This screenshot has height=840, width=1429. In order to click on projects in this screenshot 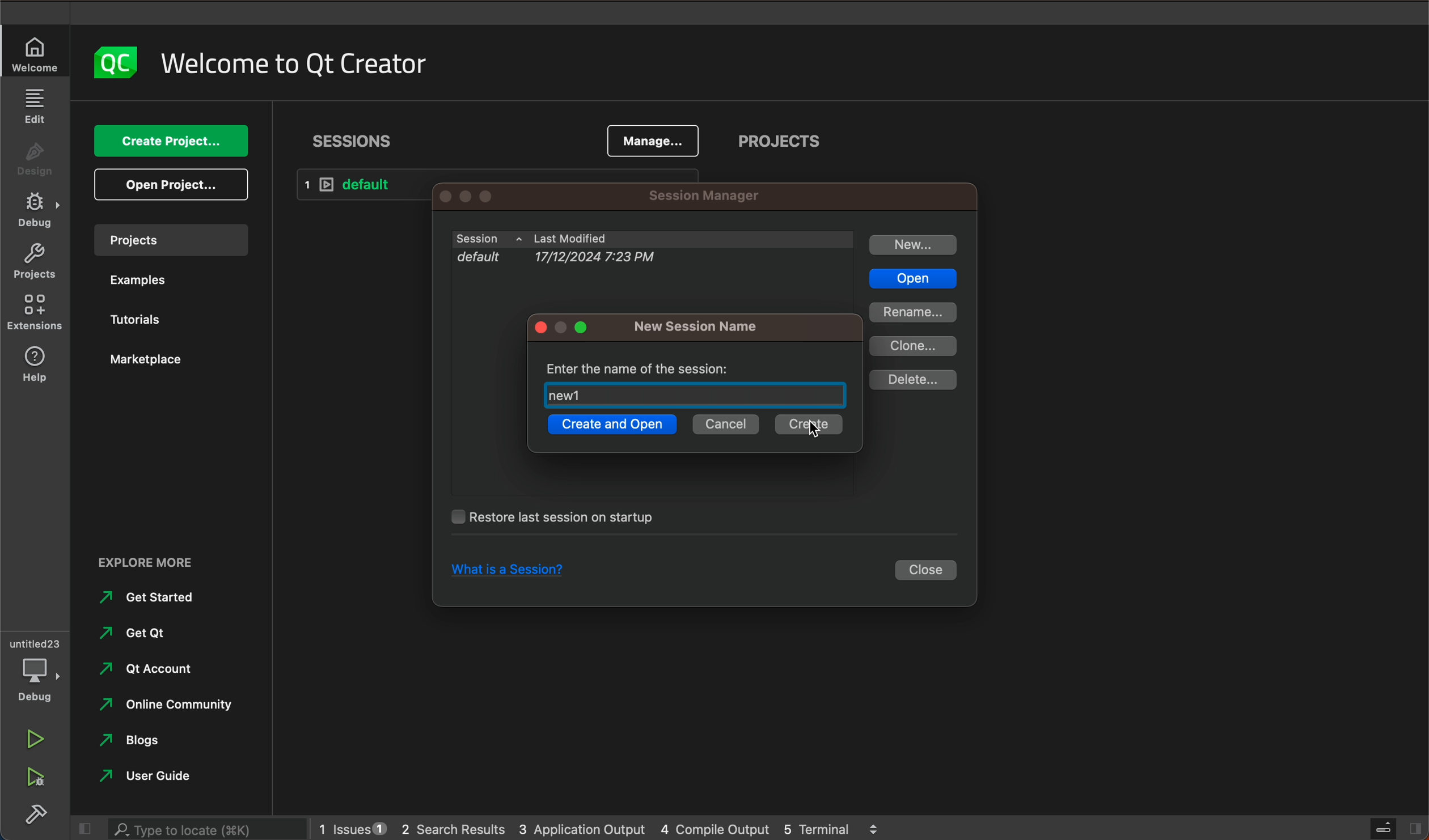, I will do `click(781, 145)`.